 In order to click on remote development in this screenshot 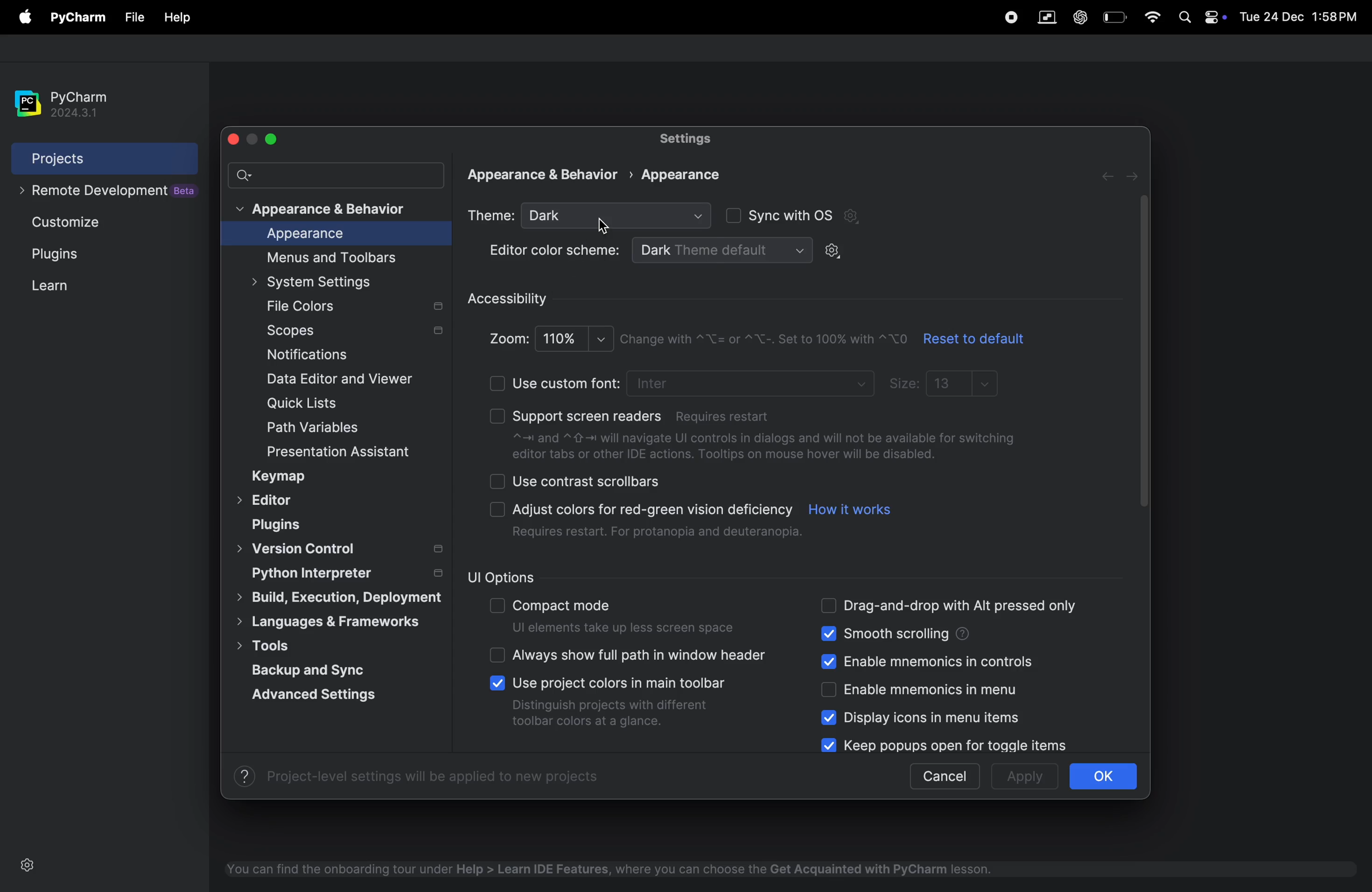, I will do `click(104, 195)`.